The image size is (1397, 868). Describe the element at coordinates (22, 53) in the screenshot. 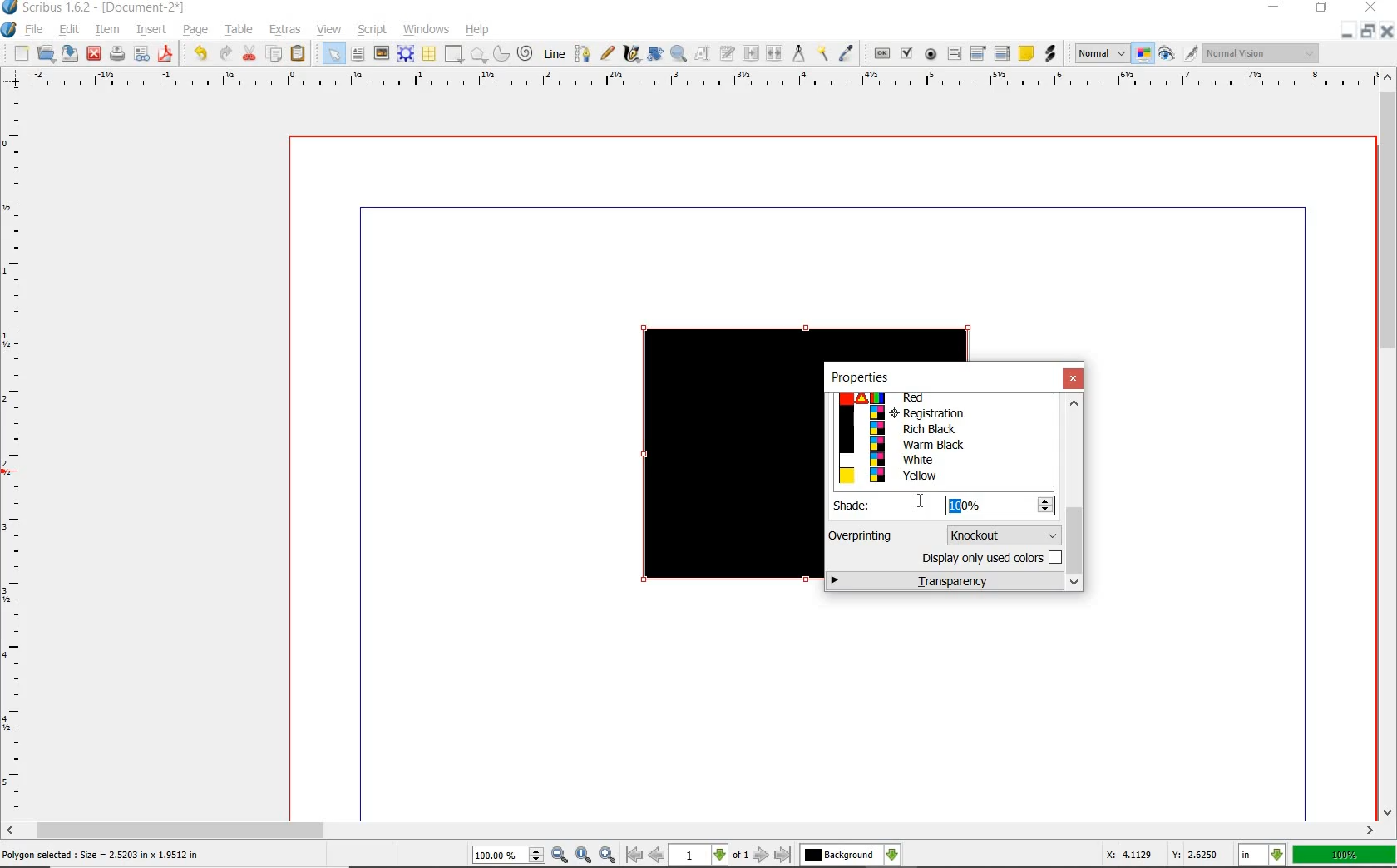

I see `new` at that location.